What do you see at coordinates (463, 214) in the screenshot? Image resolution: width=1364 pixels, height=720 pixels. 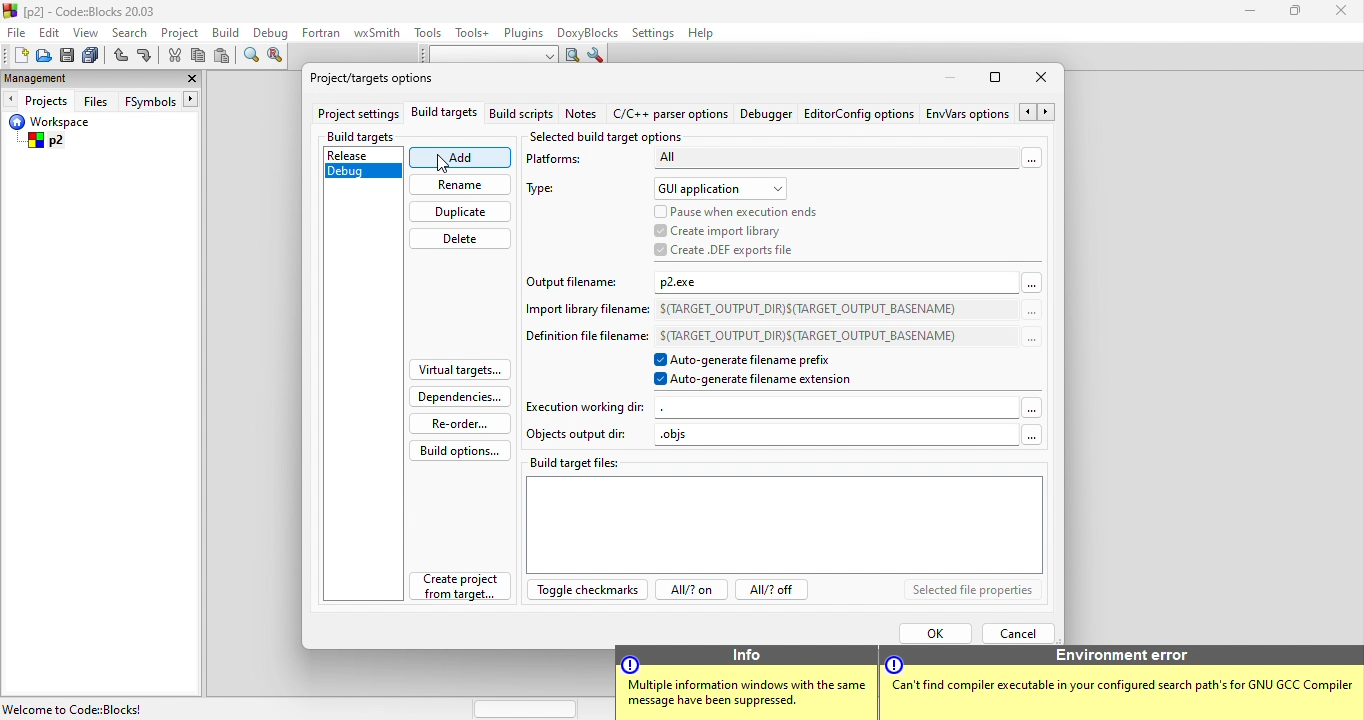 I see `duplicate` at bounding box center [463, 214].